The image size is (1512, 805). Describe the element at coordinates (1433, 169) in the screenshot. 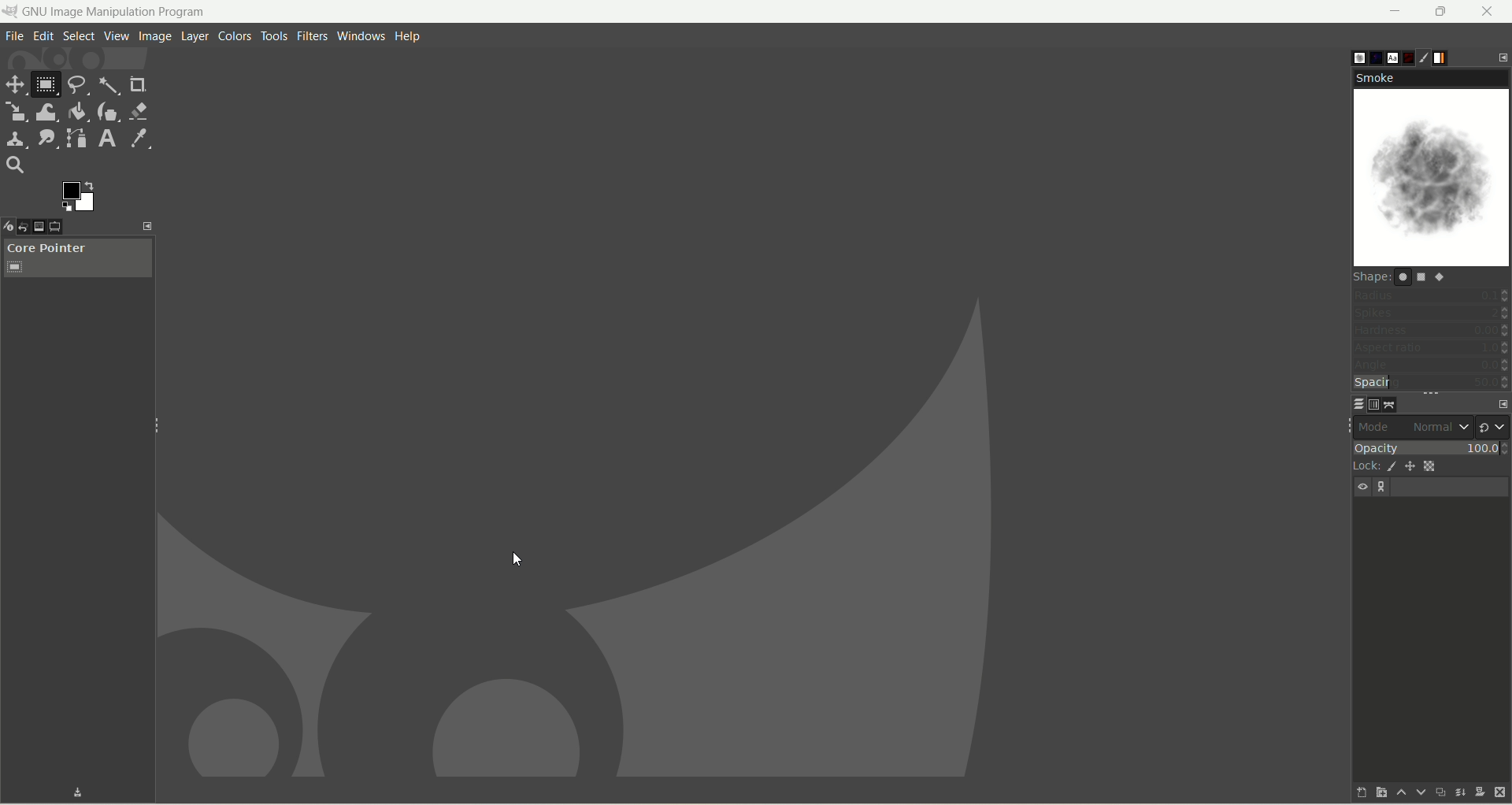

I see `smoke` at that location.